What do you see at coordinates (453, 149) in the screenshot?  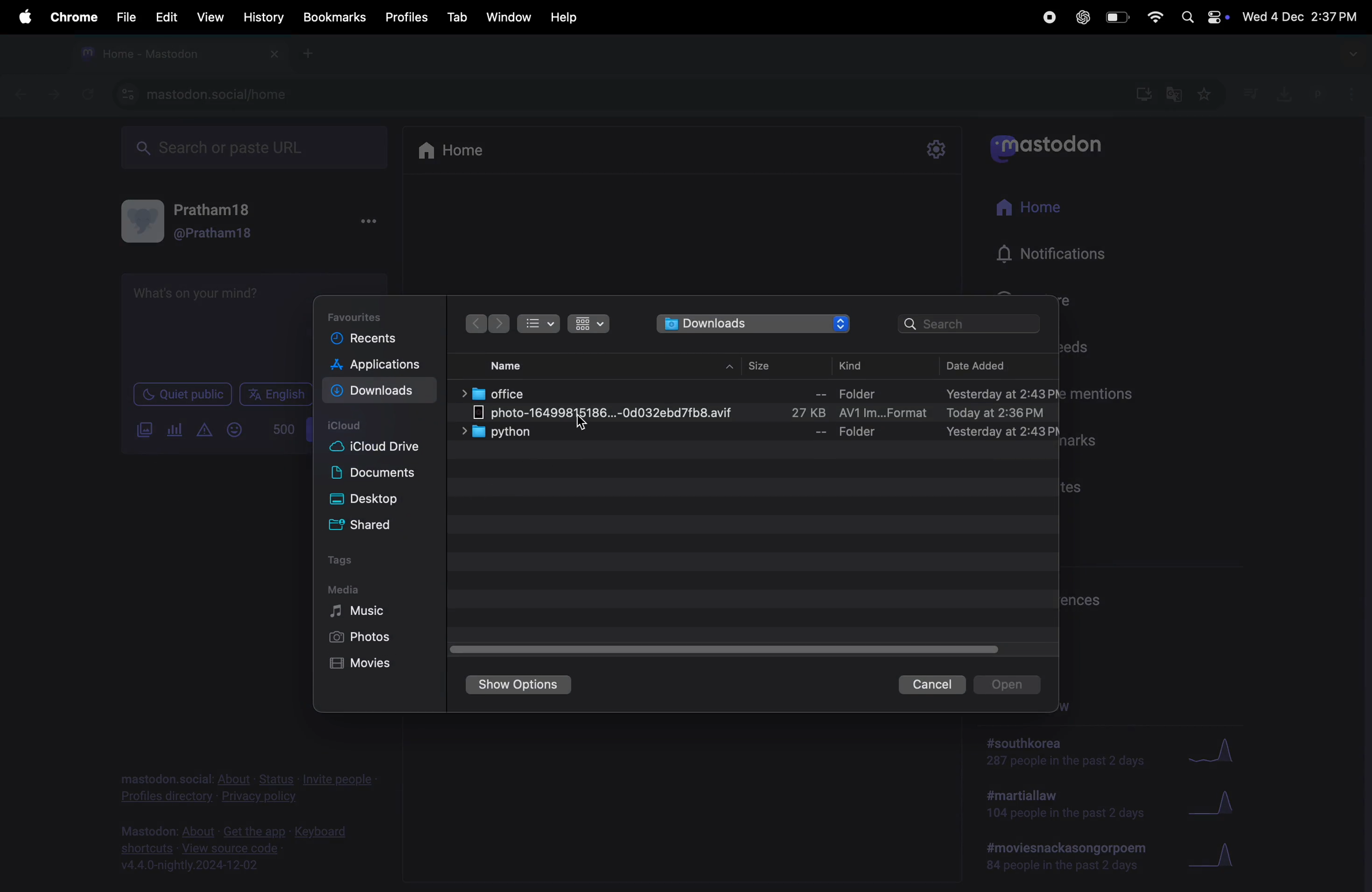 I see `Home` at bounding box center [453, 149].